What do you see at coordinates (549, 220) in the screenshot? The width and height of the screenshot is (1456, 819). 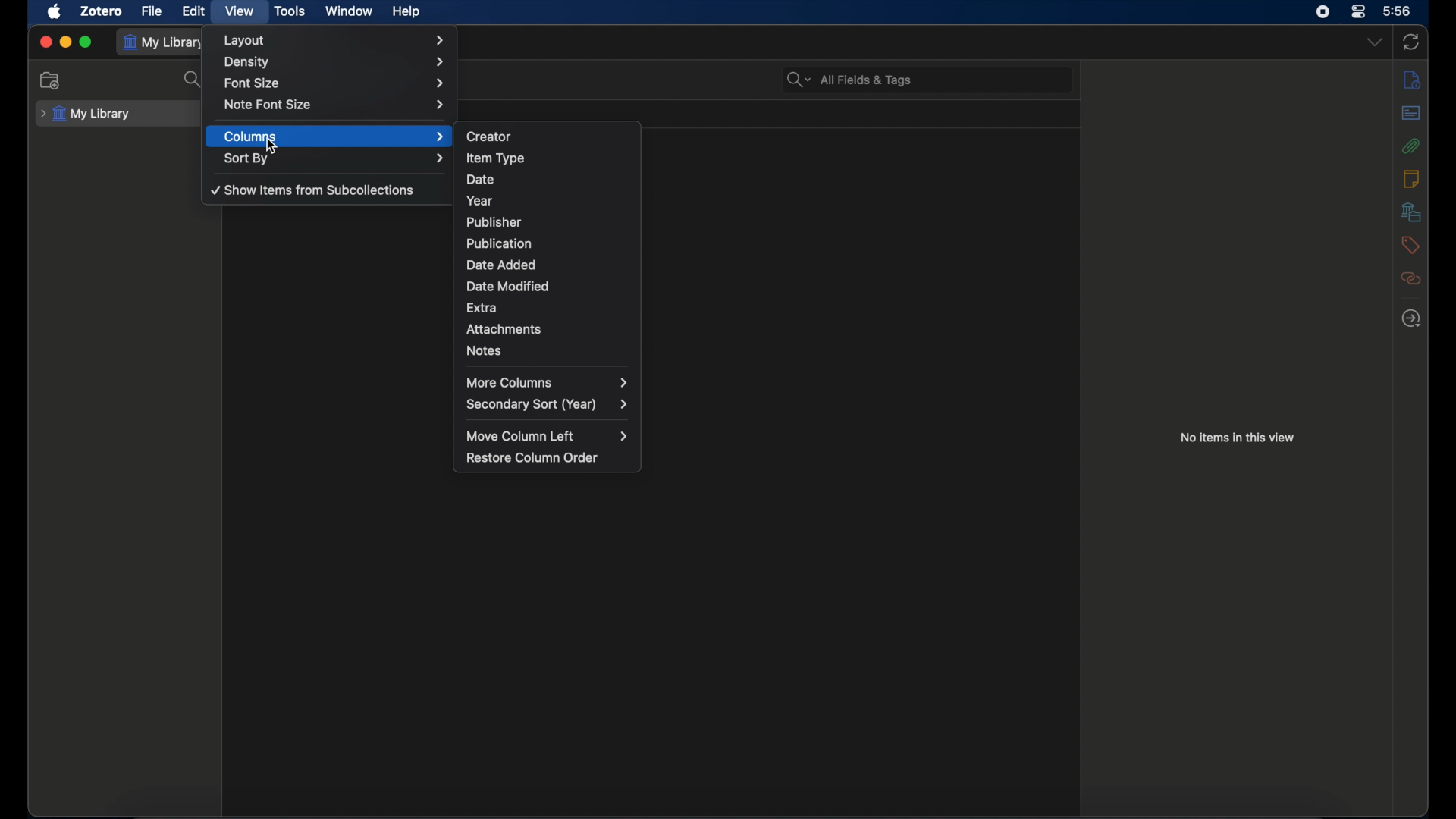 I see `publisher` at bounding box center [549, 220].